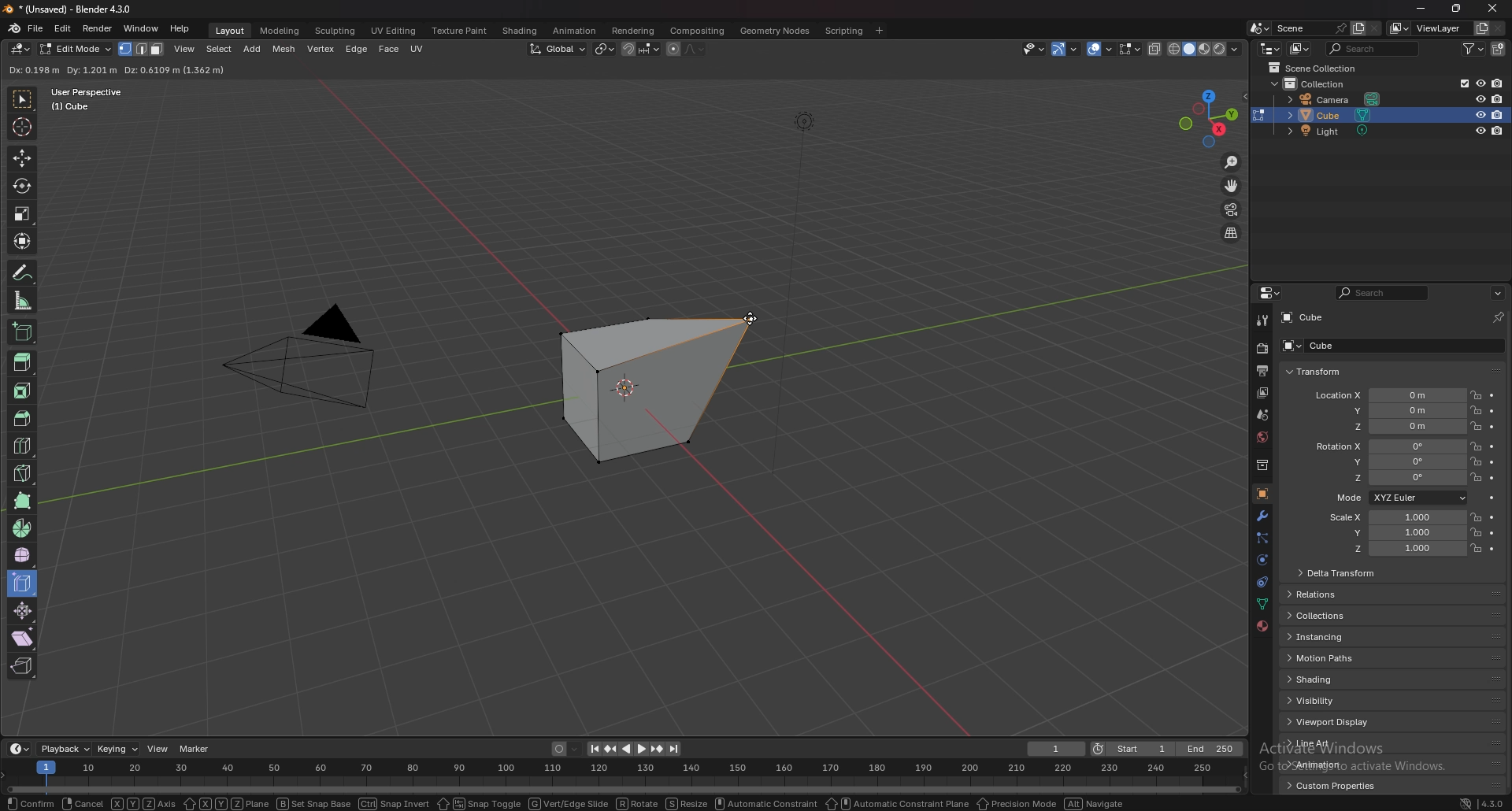 The image size is (1512, 811). I want to click on scale, so click(22, 214).